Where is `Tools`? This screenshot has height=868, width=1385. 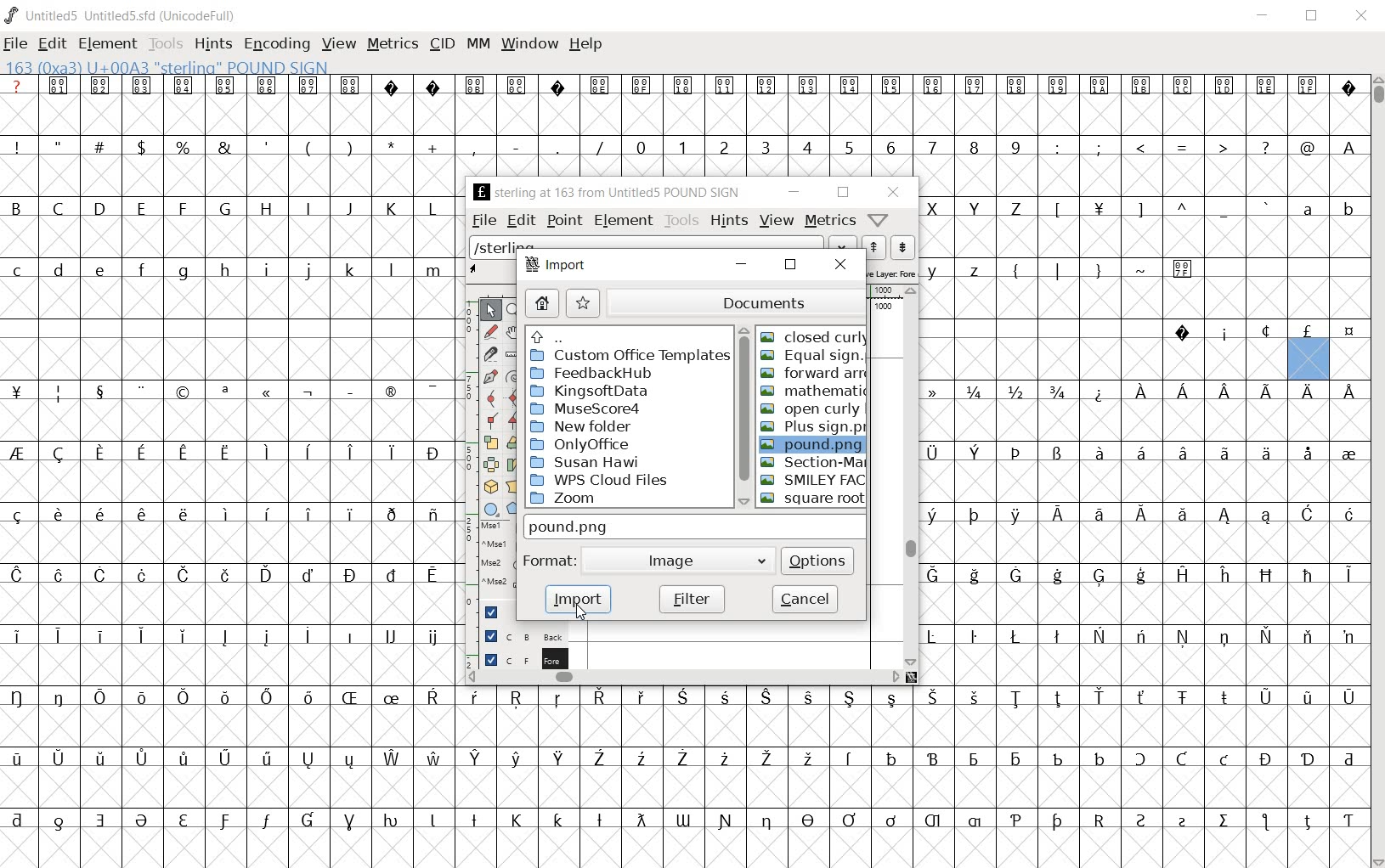
Tools is located at coordinates (166, 45).